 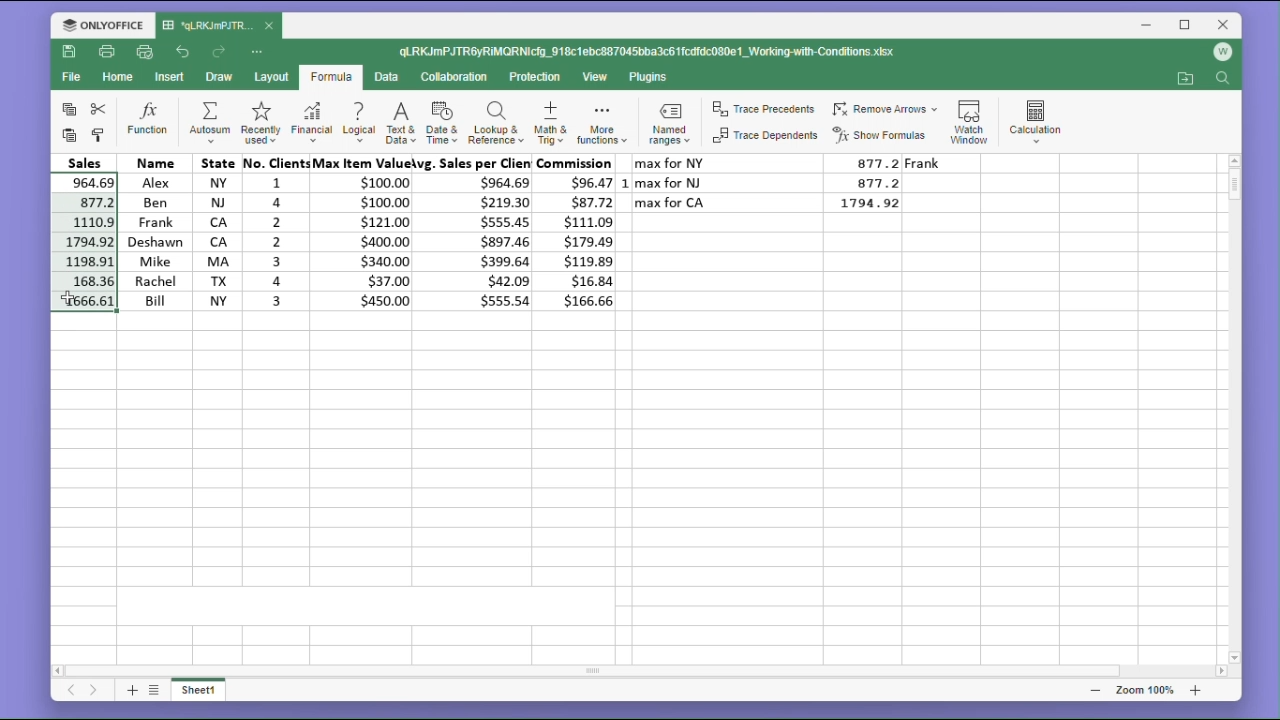 What do you see at coordinates (1041, 118) in the screenshot?
I see `calculation` at bounding box center [1041, 118].